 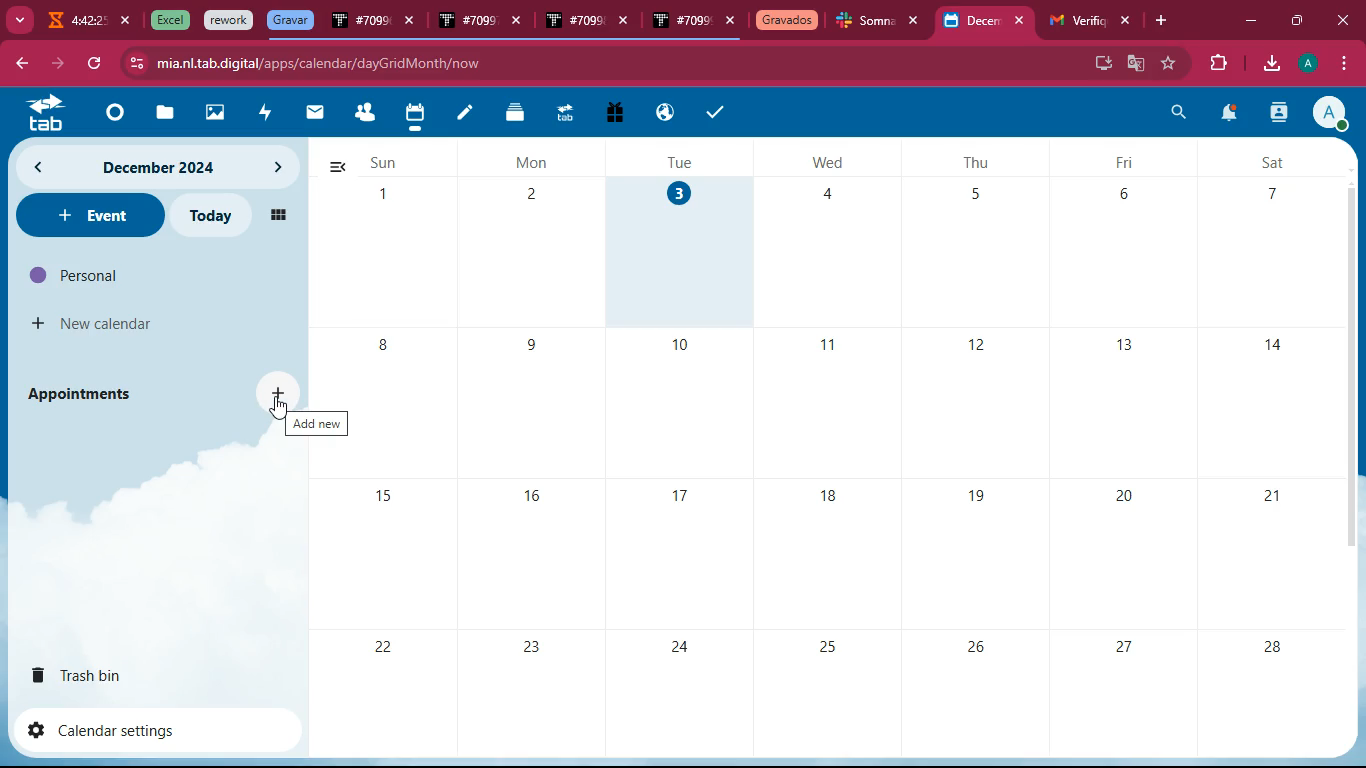 I want to click on close, so click(x=1024, y=21).